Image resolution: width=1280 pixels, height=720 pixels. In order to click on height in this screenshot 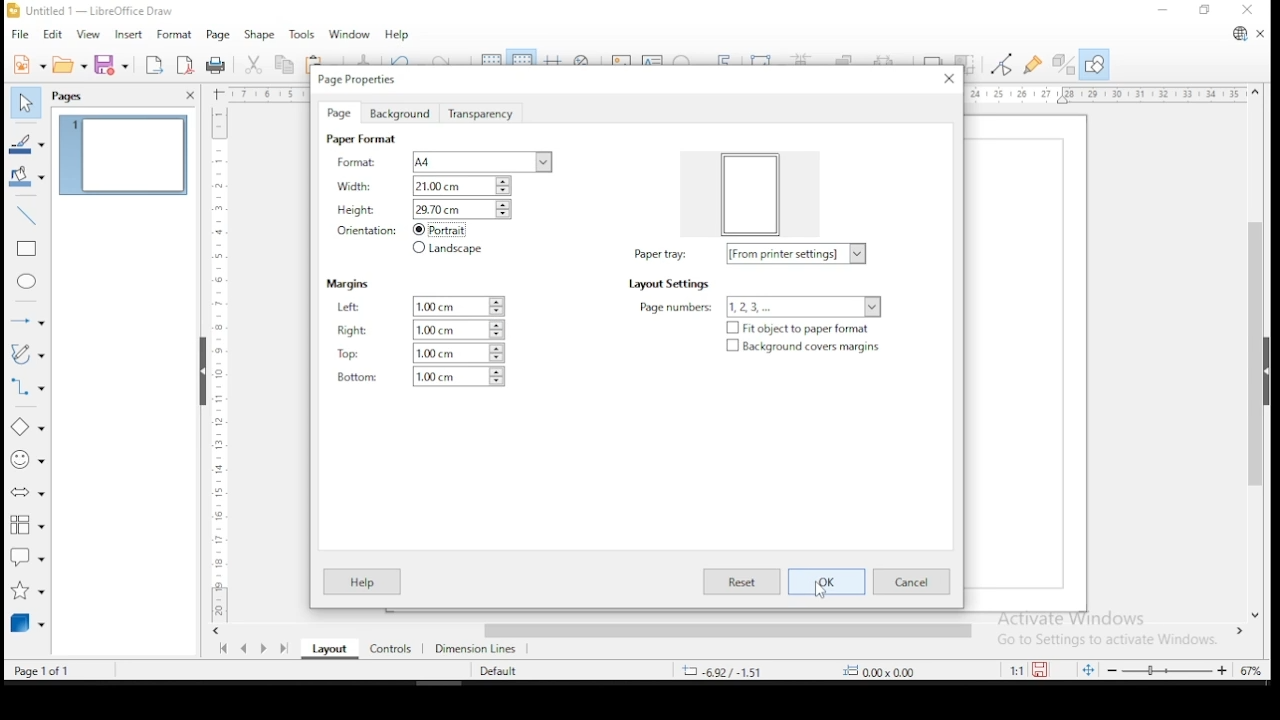, I will do `click(438, 210)`.